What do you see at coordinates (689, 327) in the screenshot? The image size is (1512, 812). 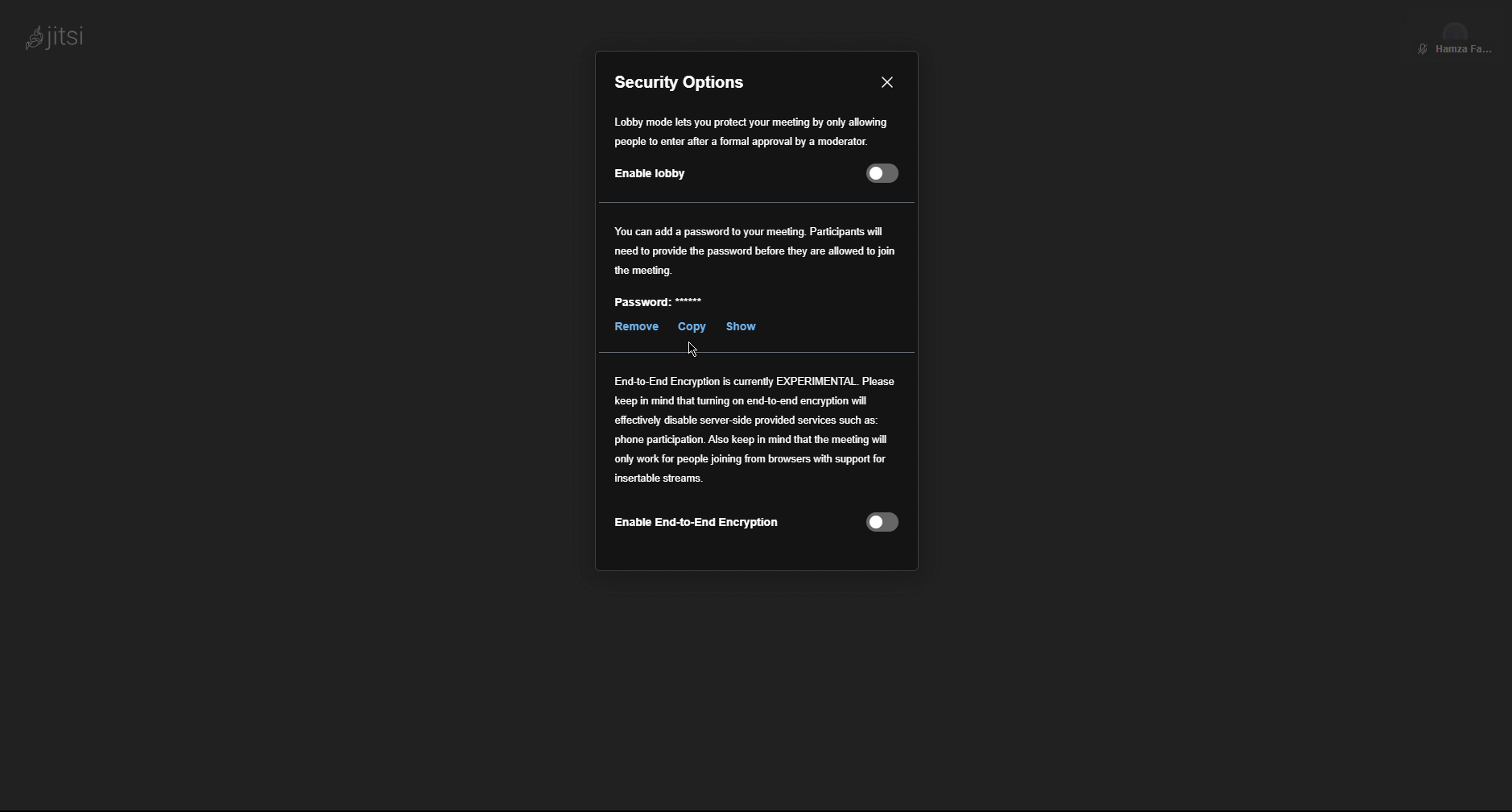 I see `Copy` at bounding box center [689, 327].